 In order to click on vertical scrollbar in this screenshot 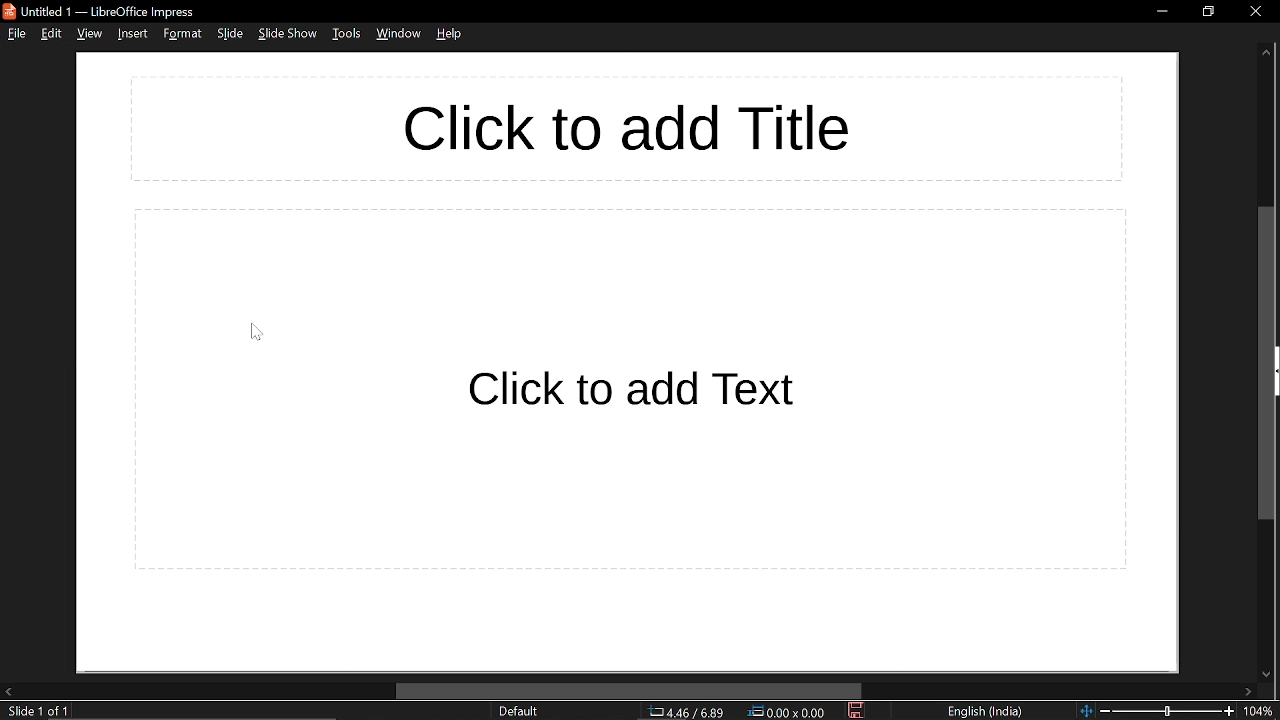, I will do `click(1270, 361)`.